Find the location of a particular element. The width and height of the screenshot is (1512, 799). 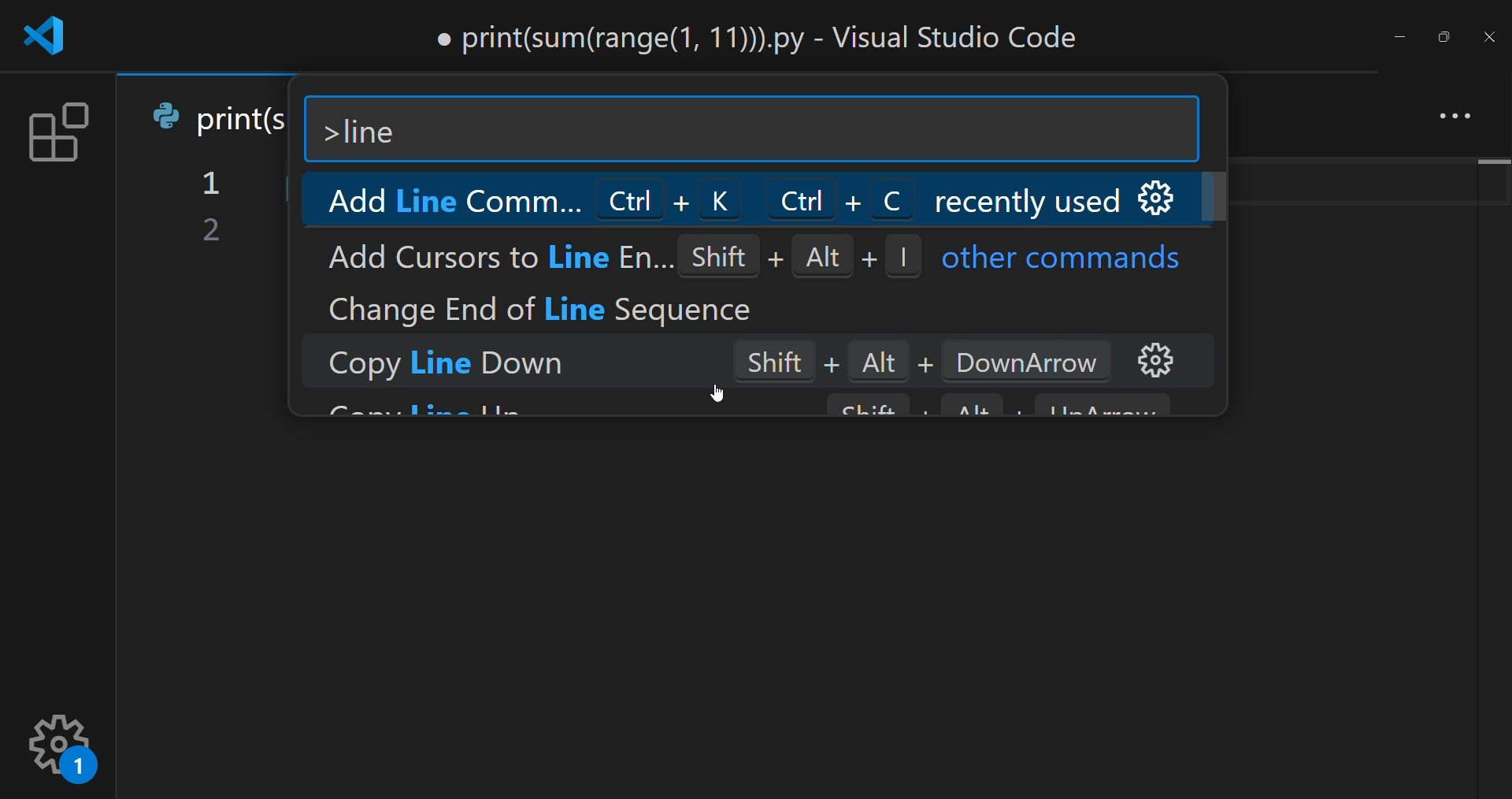

minimize is located at coordinates (1399, 35).